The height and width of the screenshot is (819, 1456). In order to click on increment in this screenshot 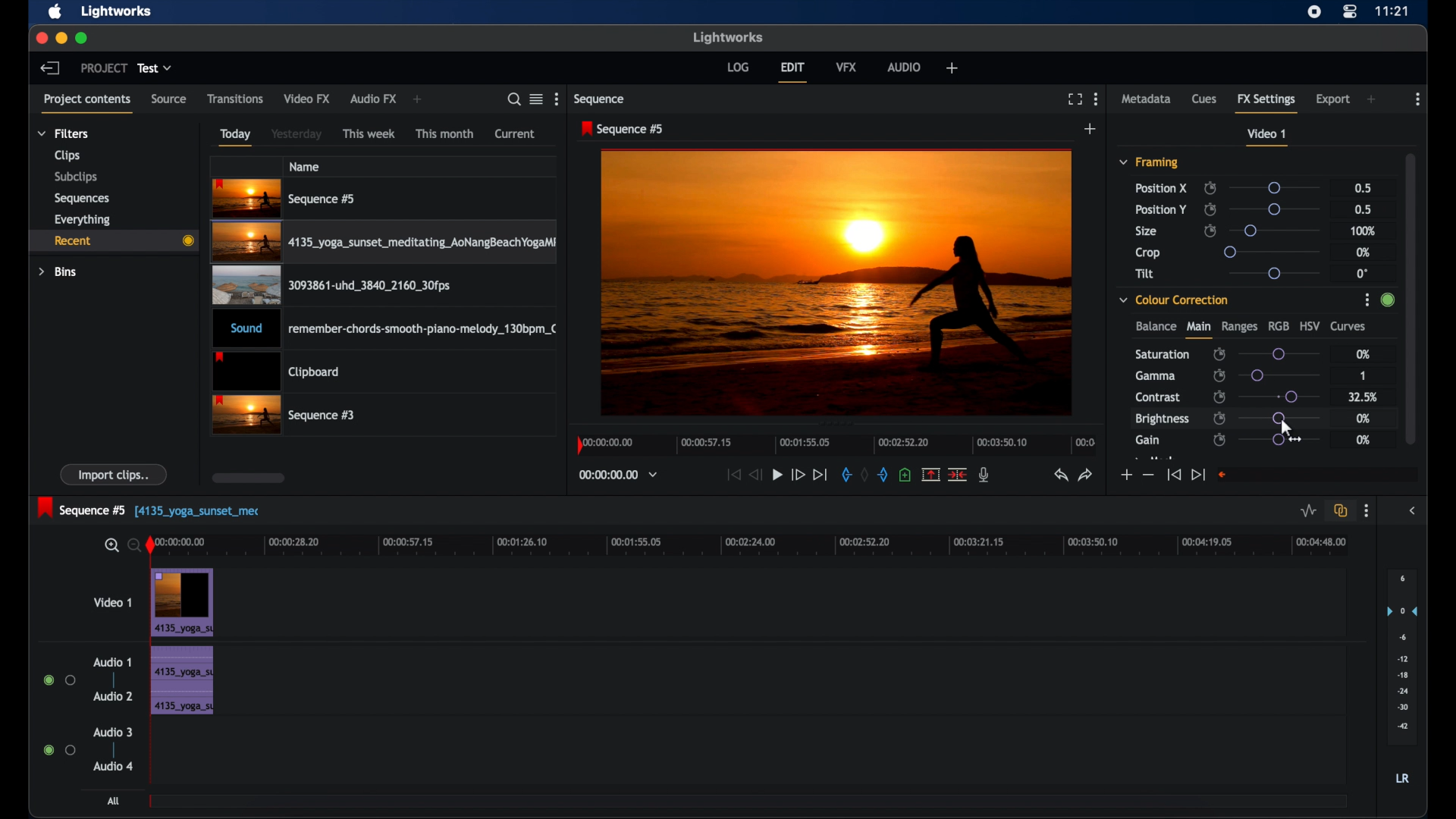, I will do `click(1125, 475)`.